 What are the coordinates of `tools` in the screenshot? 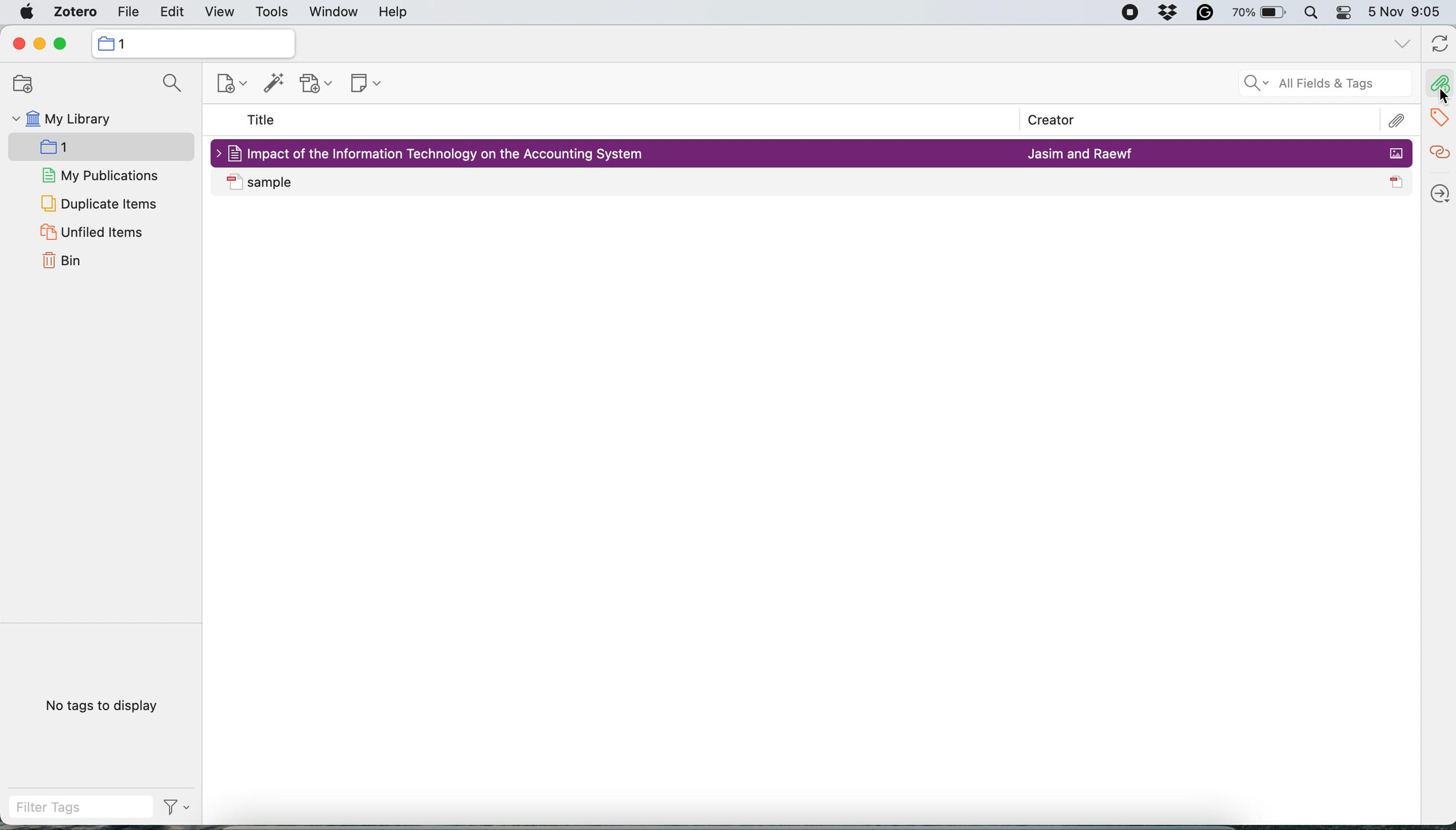 It's located at (271, 13).